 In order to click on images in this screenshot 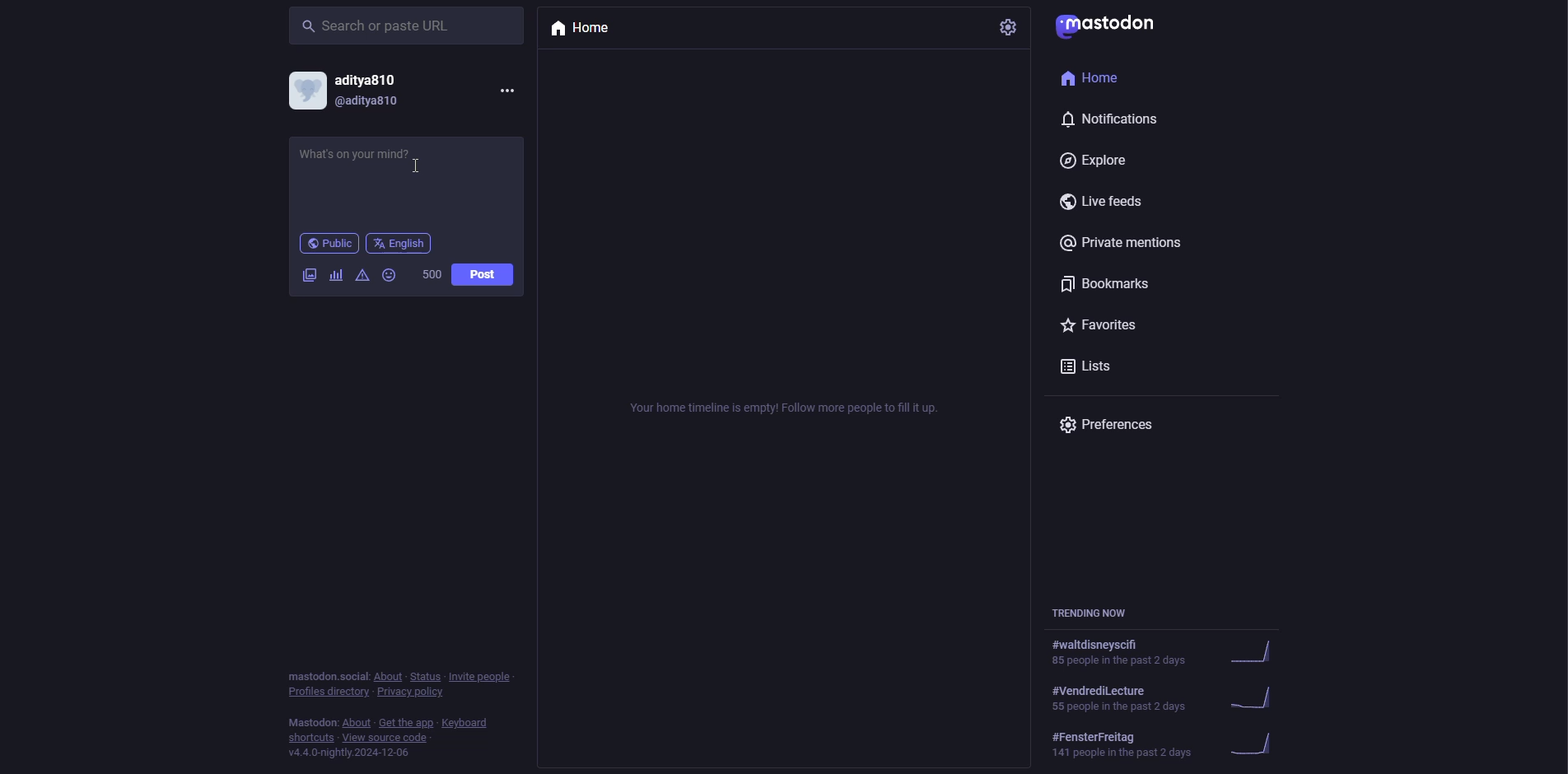, I will do `click(309, 274)`.